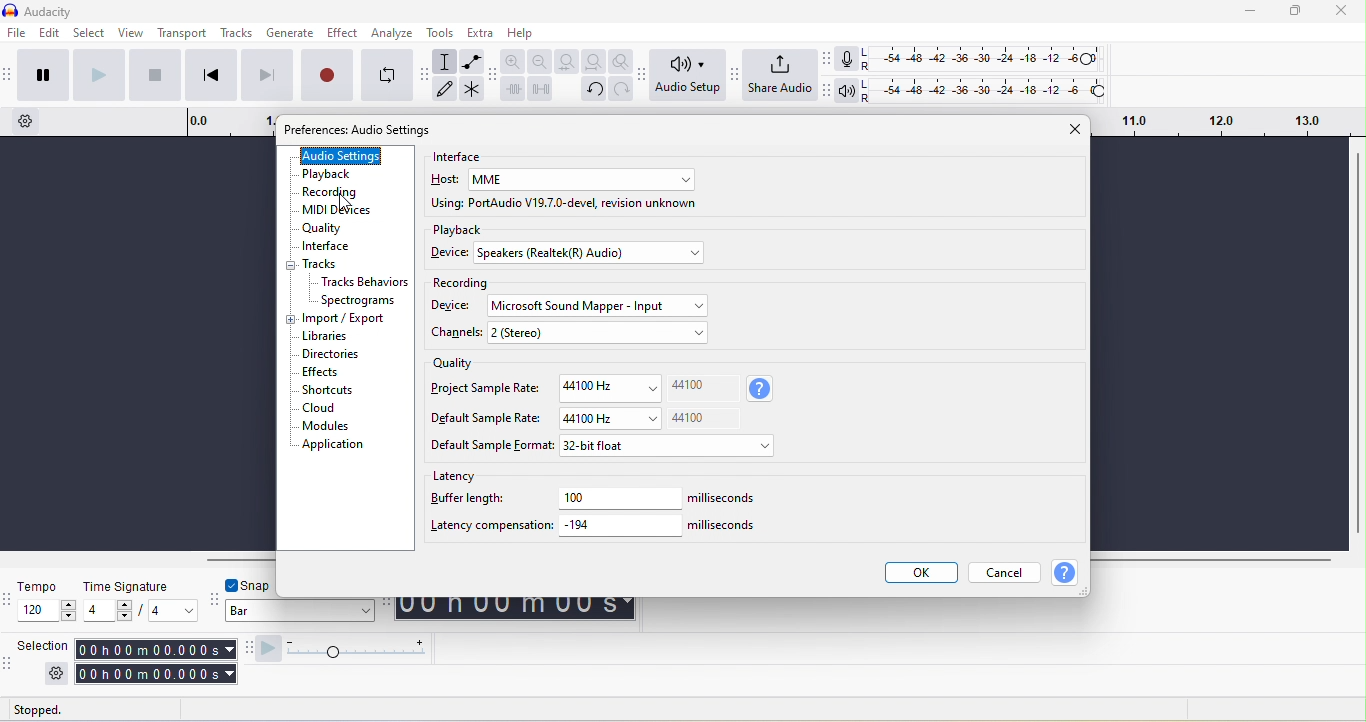  I want to click on host, so click(447, 179).